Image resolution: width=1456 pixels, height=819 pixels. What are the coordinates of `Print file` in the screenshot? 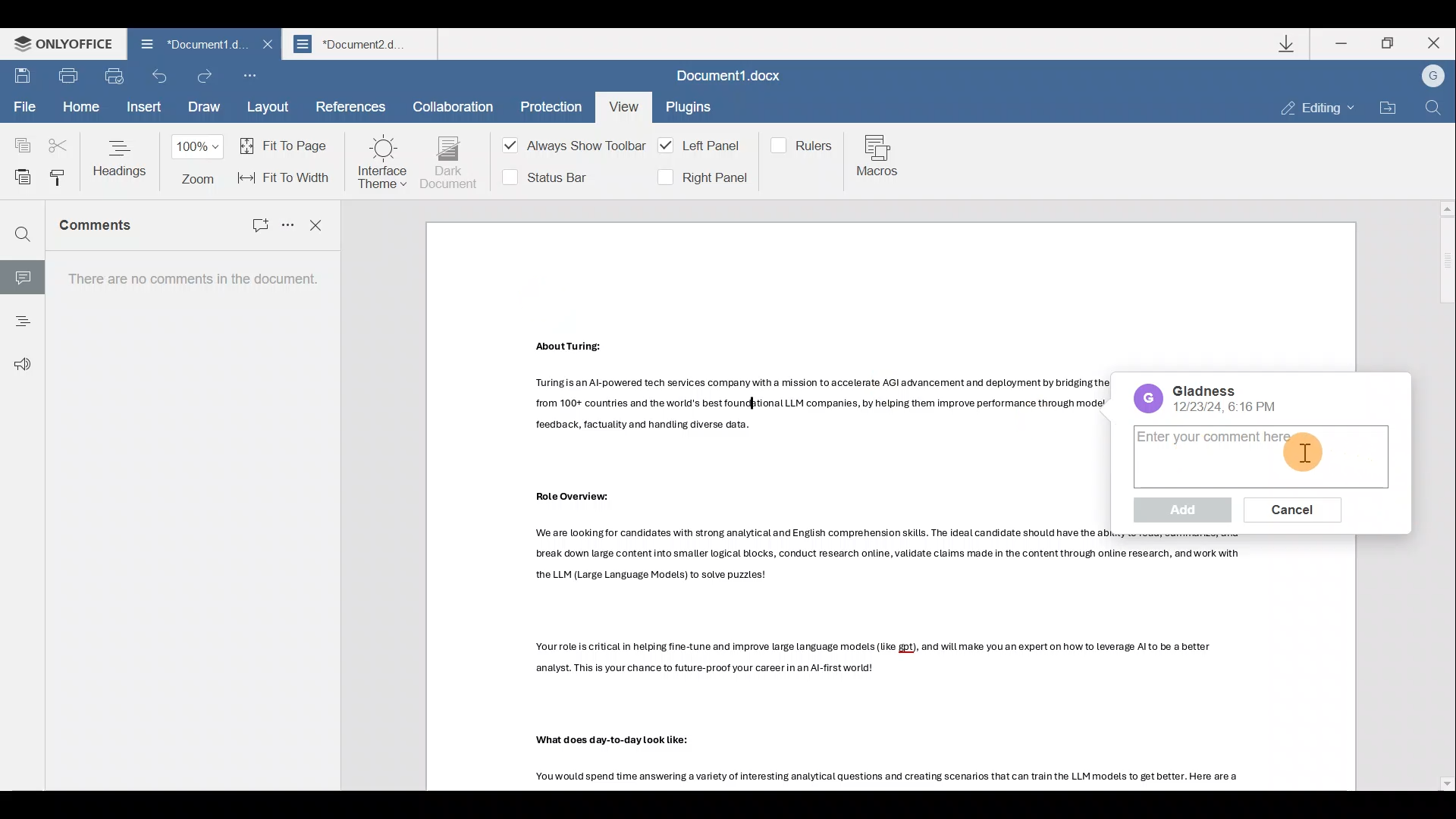 It's located at (72, 78).